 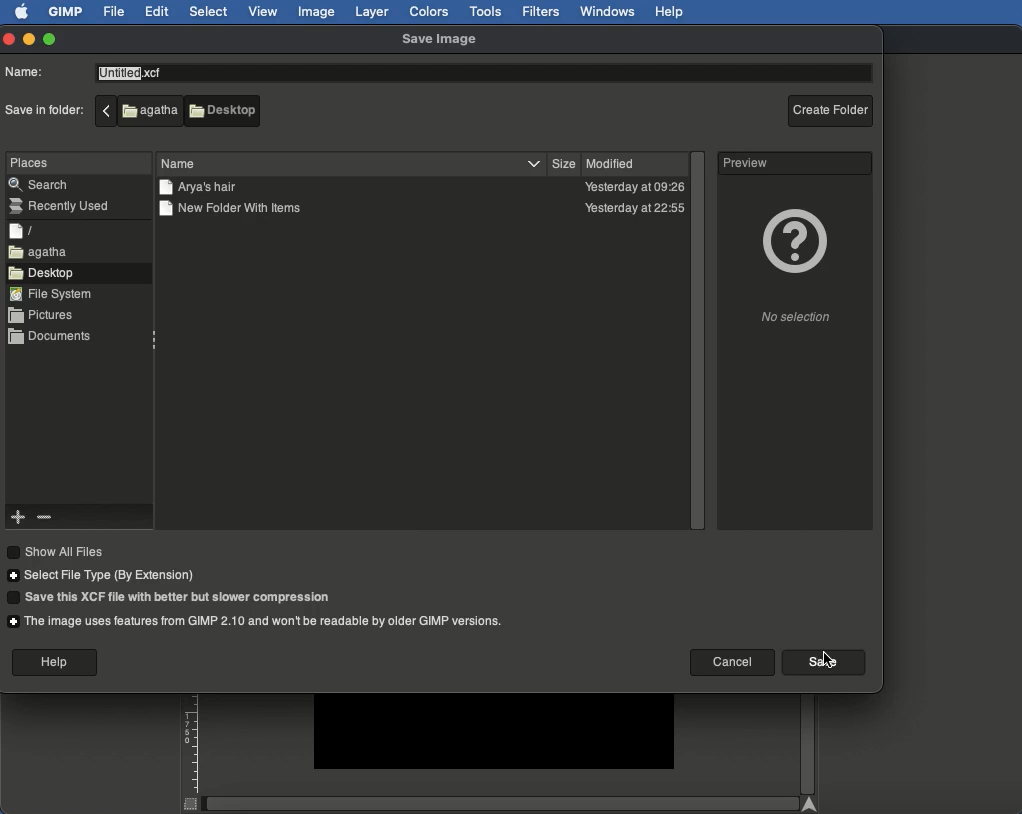 What do you see at coordinates (21, 231) in the screenshot?
I see `file` at bounding box center [21, 231].